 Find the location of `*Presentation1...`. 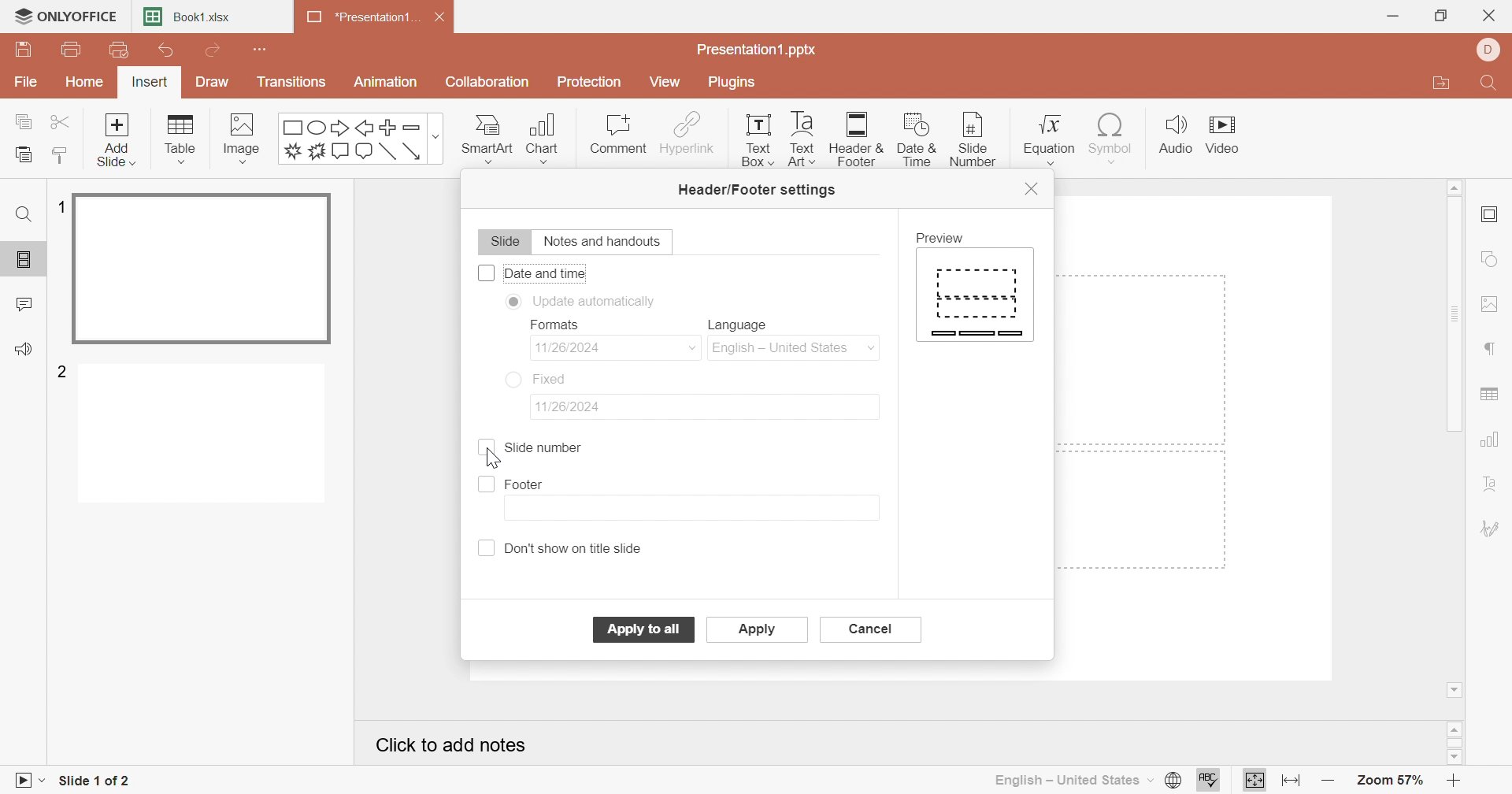

*Presentation1... is located at coordinates (358, 19).